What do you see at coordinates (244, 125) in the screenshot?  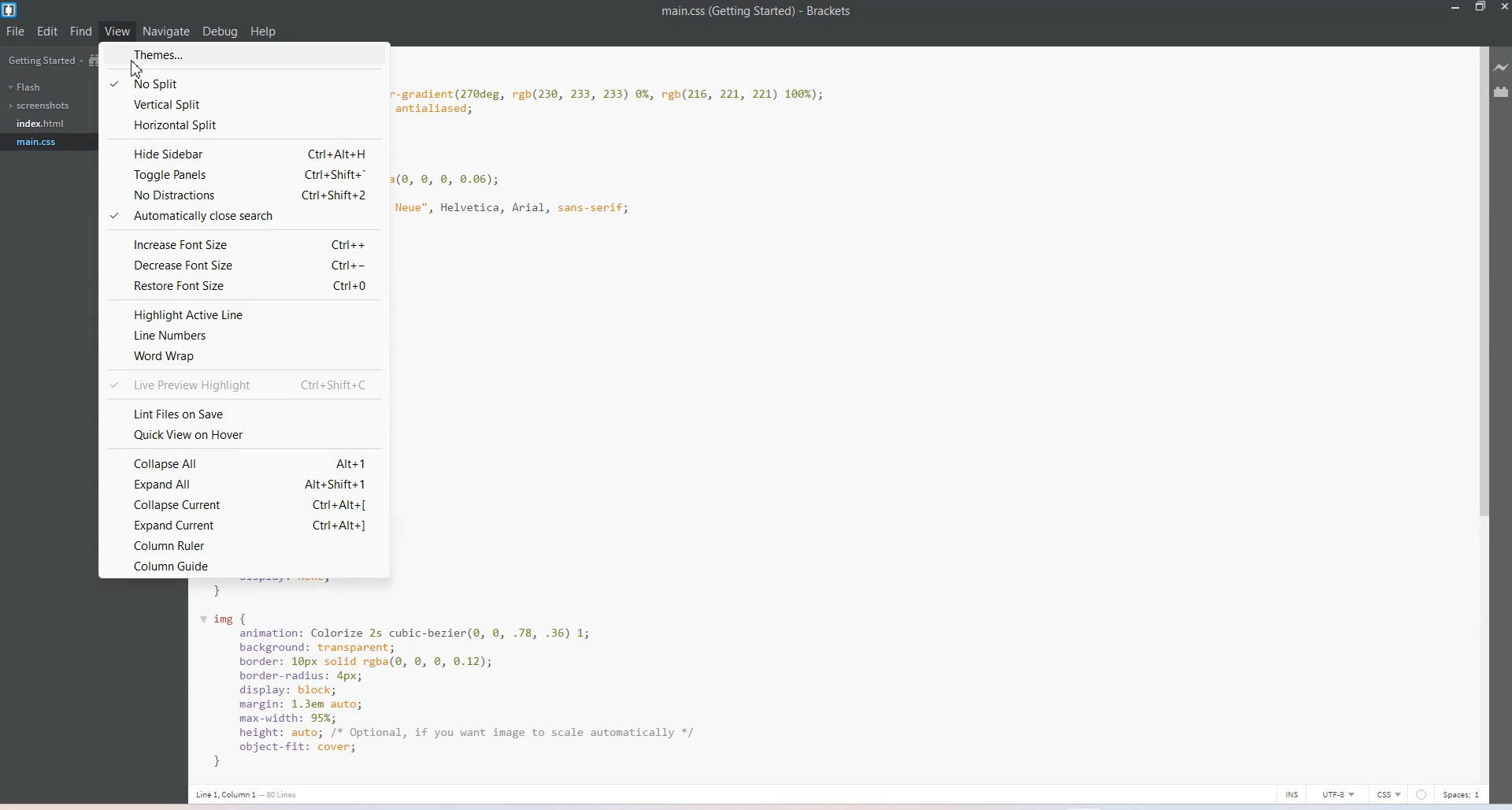 I see `Horizontal Split` at bounding box center [244, 125].